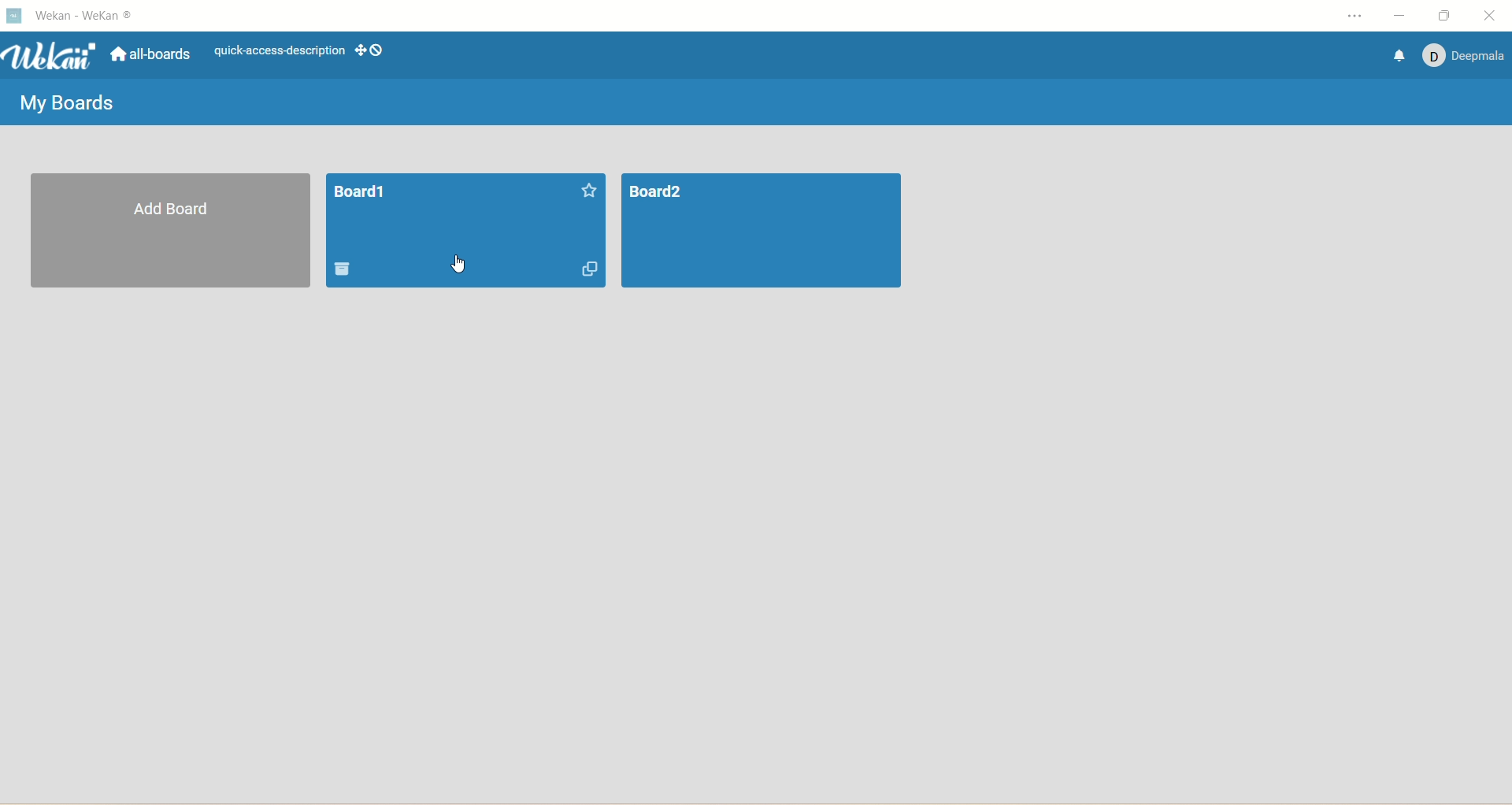 This screenshot has height=805, width=1512. What do you see at coordinates (13, 16) in the screenshot?
I see `logo` at bounding box center [13, 16].